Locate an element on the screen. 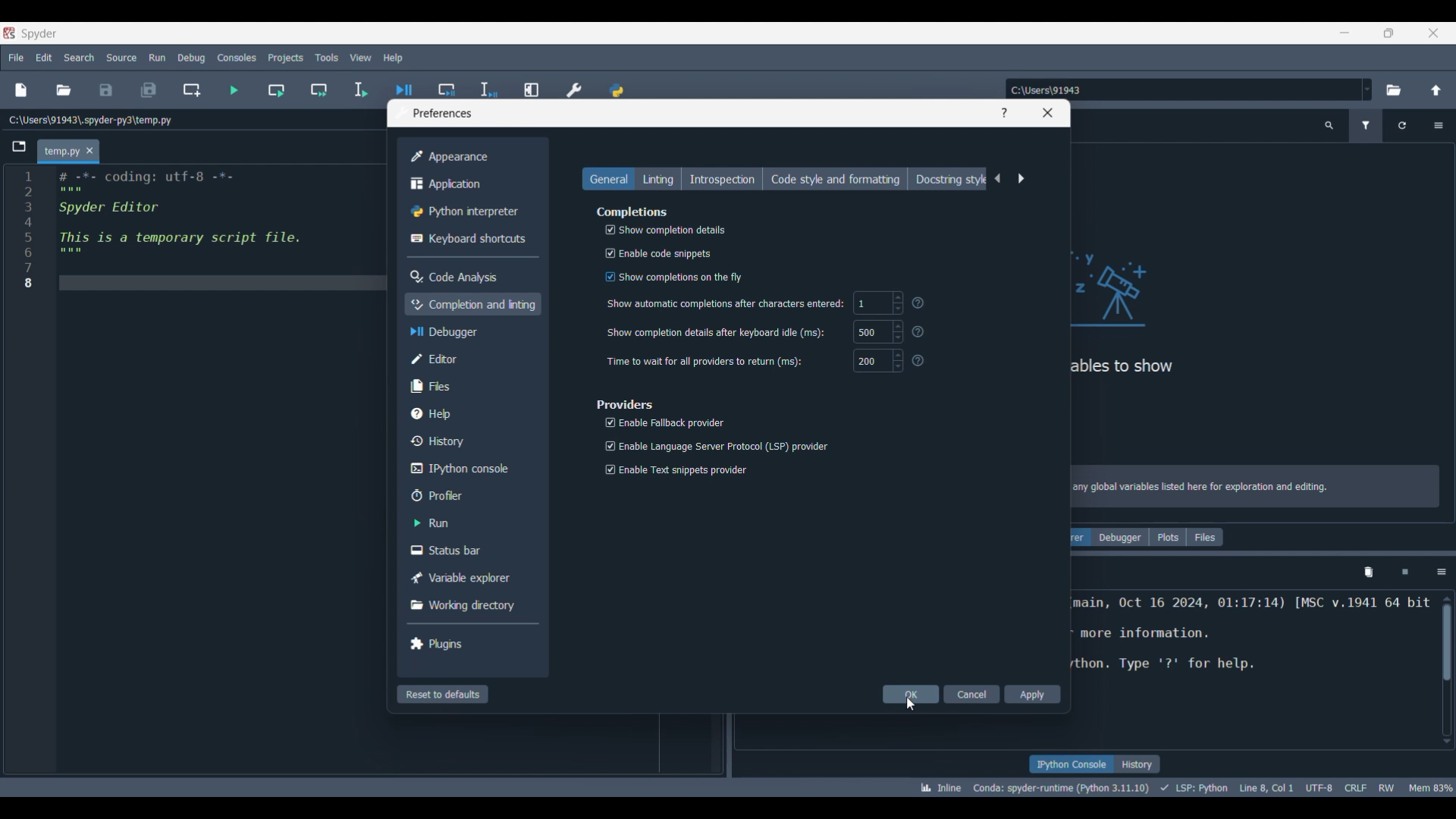 This screenshot has width=1456, height=819. Help is located at coordinates (1003, 113).